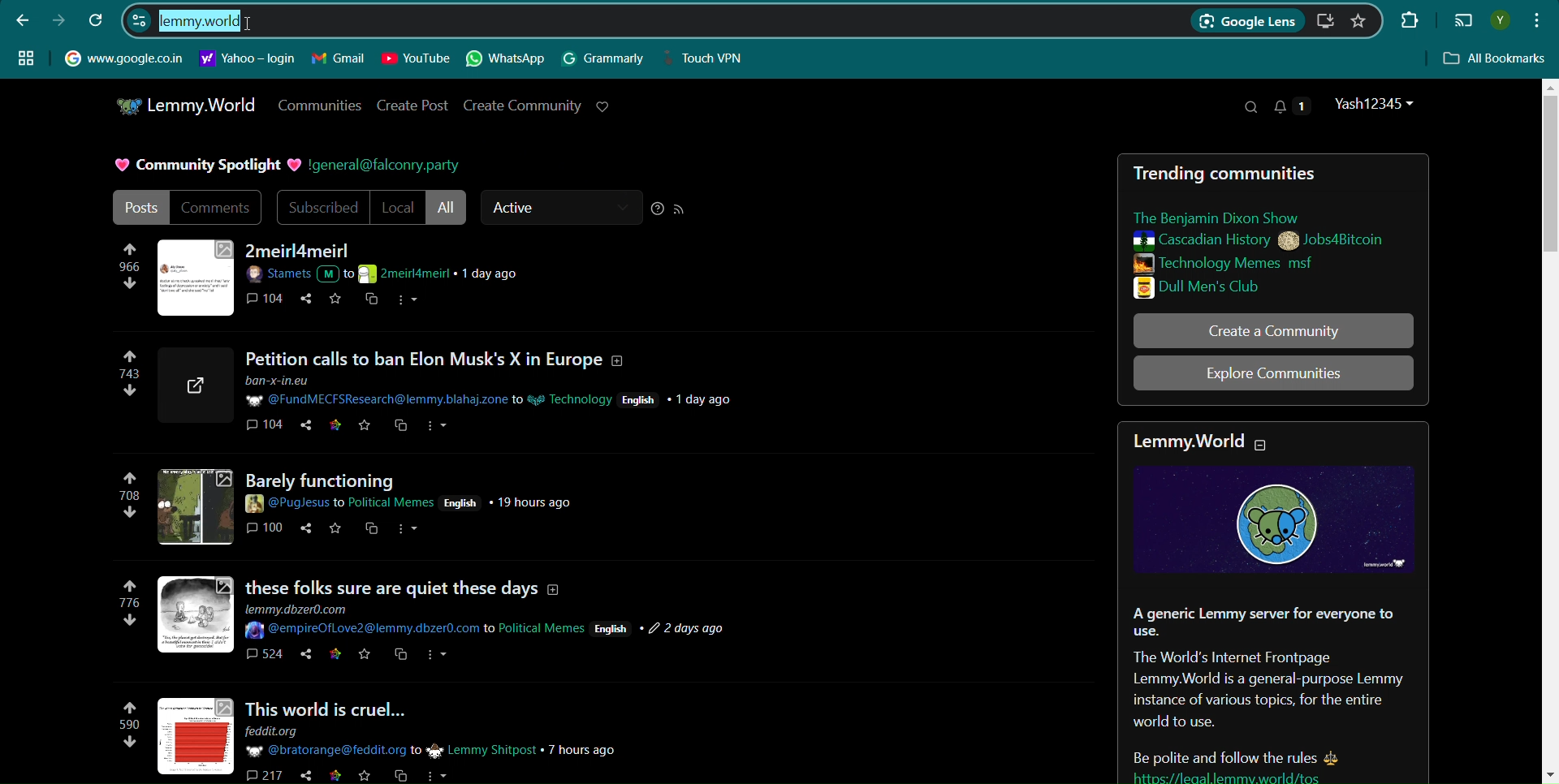  I want to click on Youtube, so click(416, 58).